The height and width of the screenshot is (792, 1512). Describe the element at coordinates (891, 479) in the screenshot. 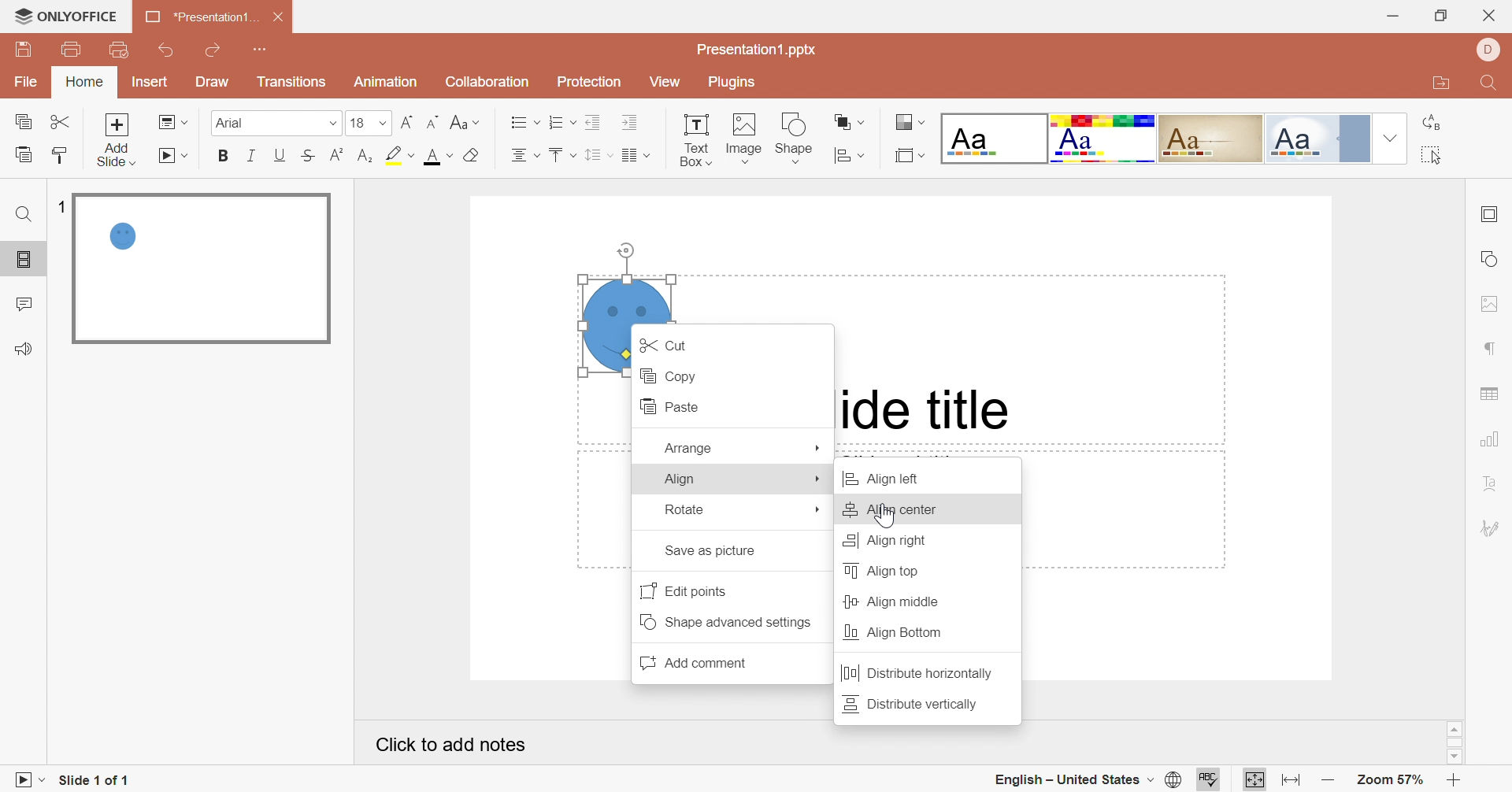

I see `Align Left` at that location.